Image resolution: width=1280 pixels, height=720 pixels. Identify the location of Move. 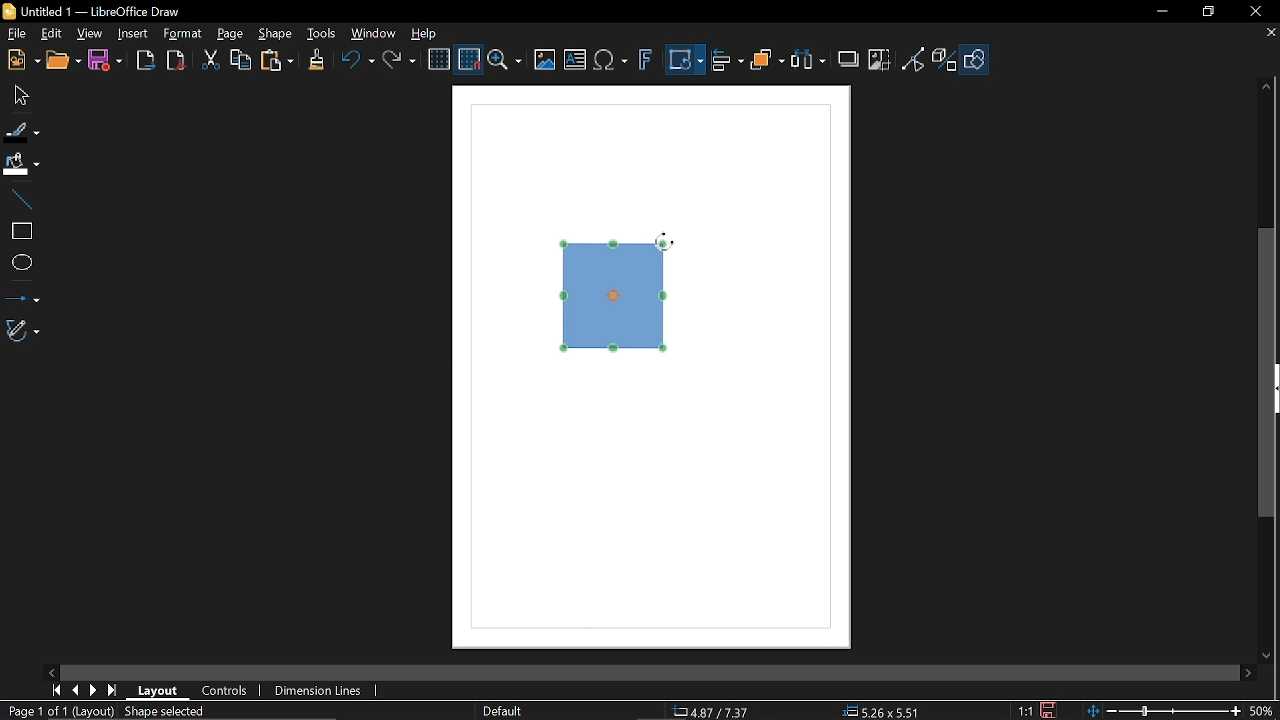
(20, 94).